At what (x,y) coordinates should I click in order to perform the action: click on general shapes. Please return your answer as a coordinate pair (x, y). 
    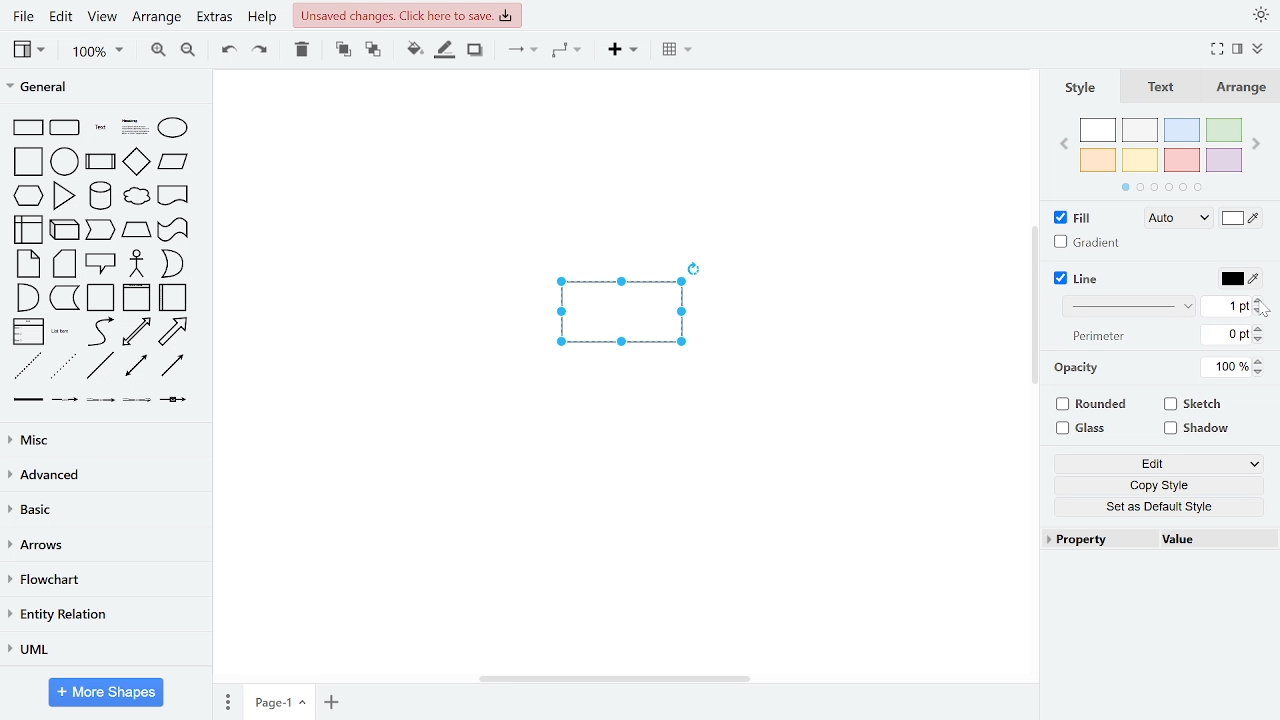
    Looking at the image, I should click on (131, 196).